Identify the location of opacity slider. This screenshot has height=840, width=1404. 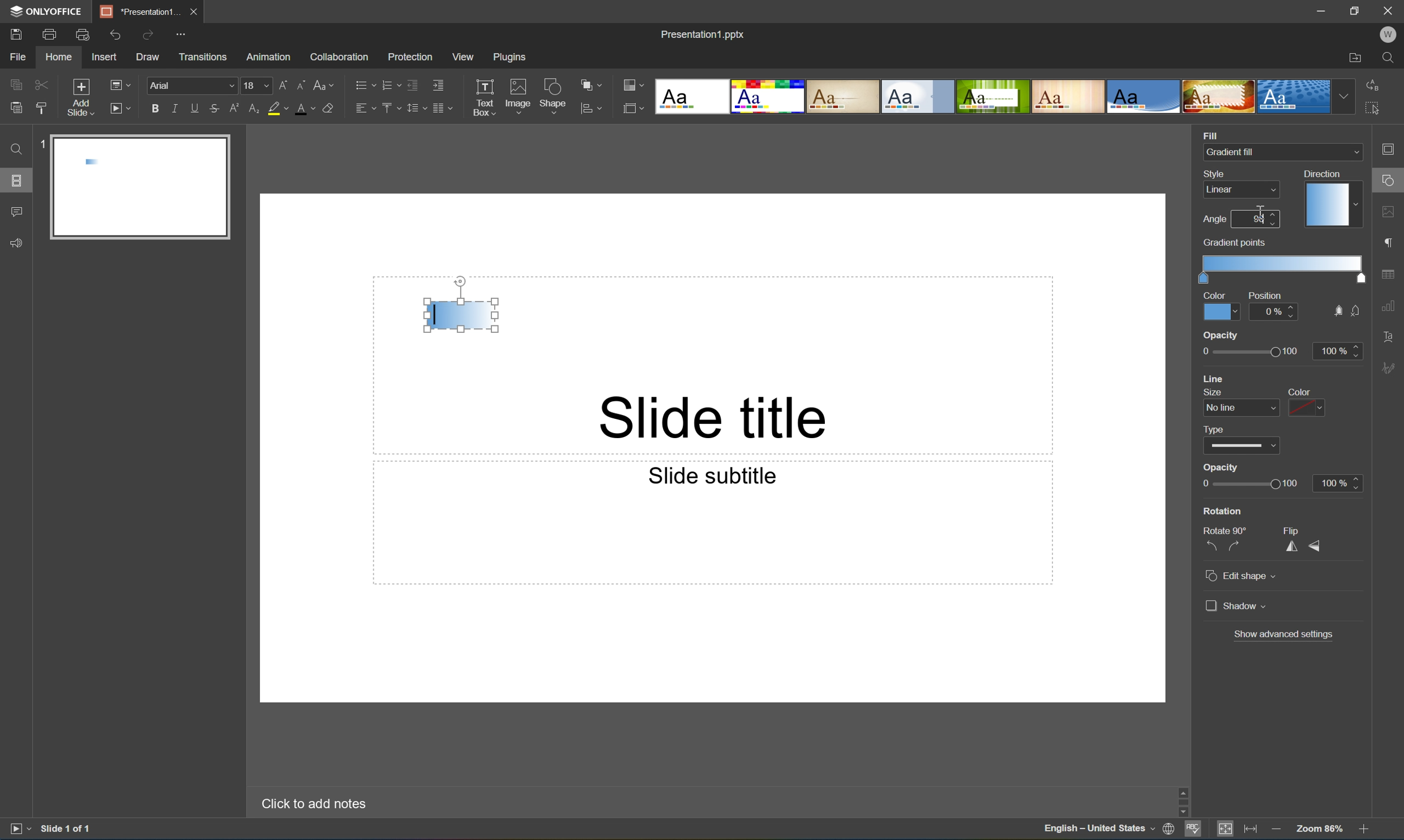
(1244, 352).